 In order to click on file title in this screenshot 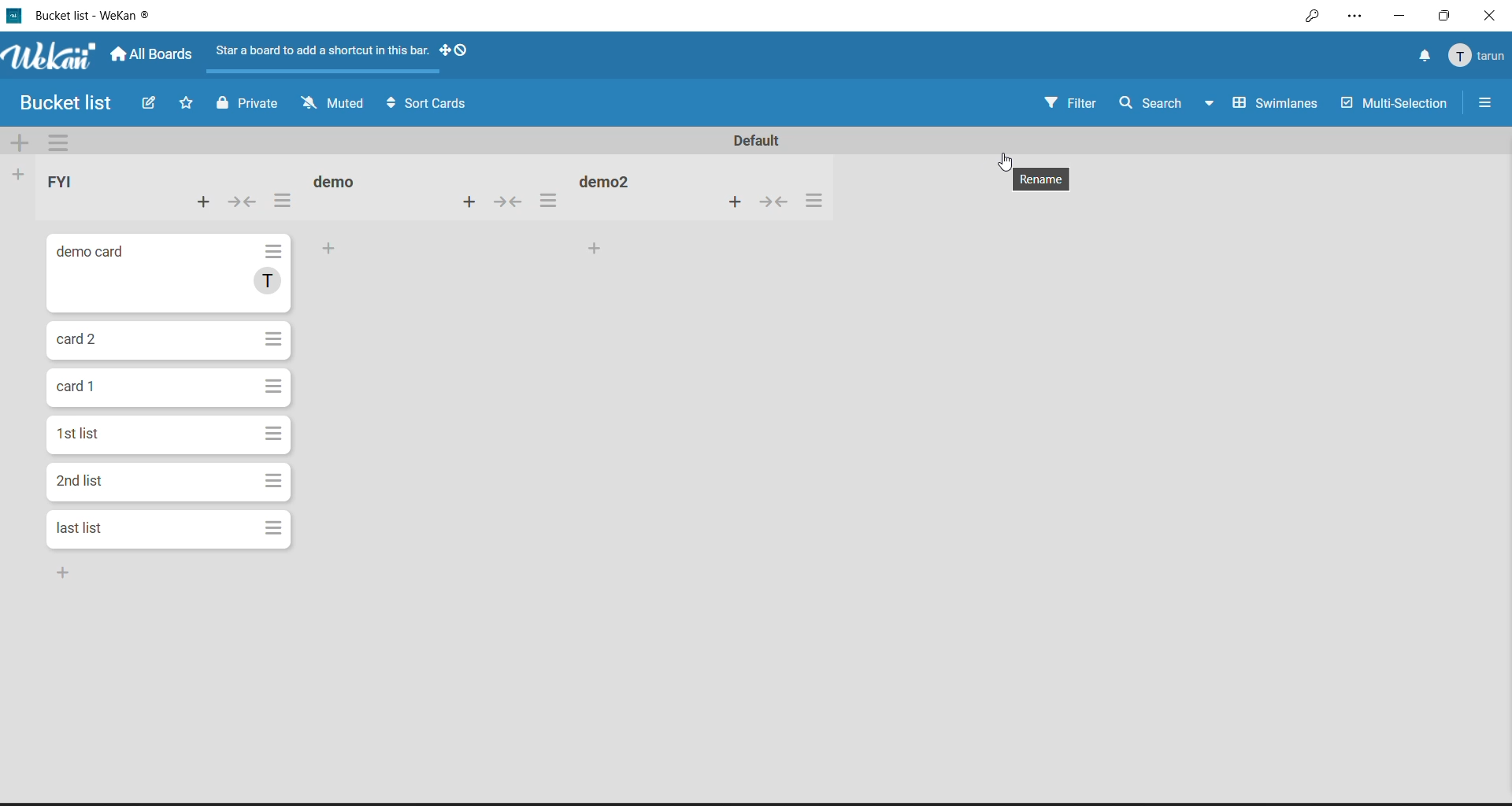, I will do `click(80, 15)`.